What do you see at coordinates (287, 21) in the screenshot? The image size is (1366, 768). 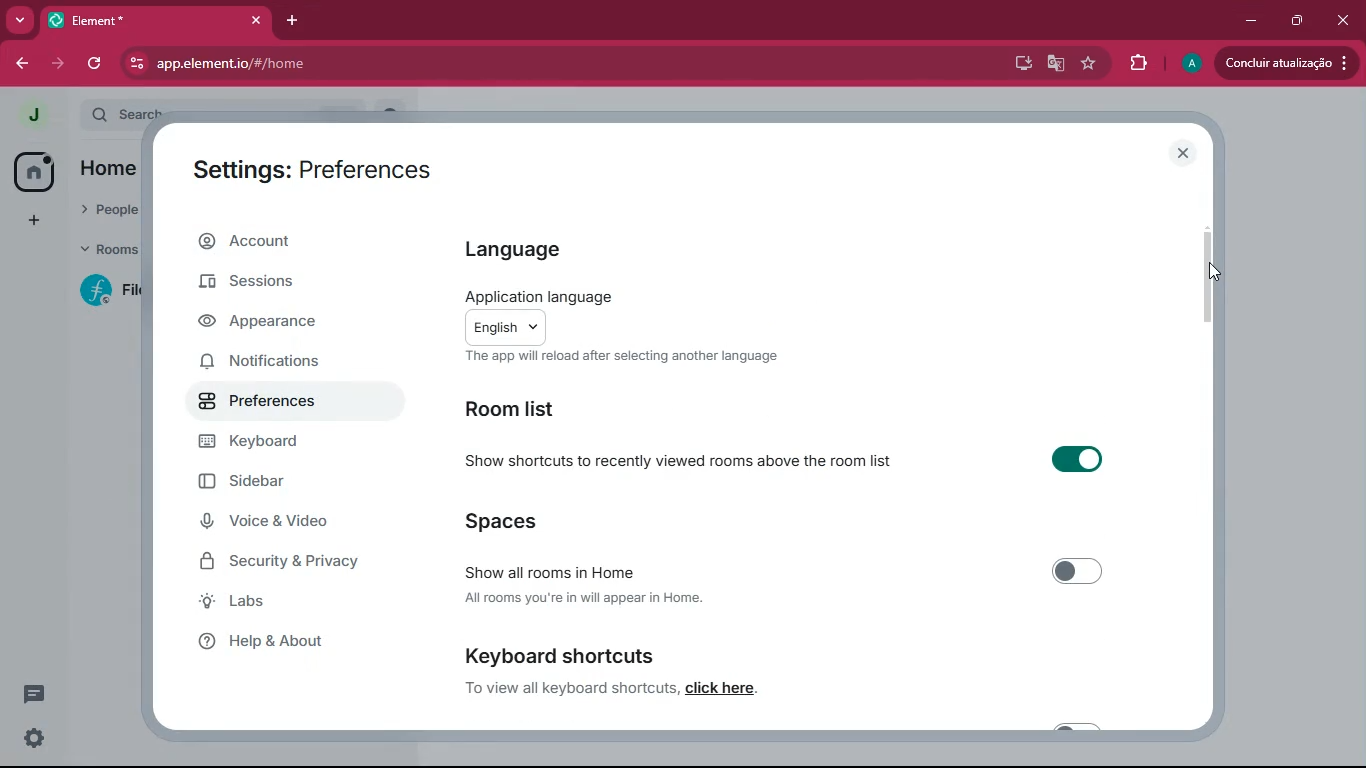 I see `add tab` at bounding box center [287, 21].